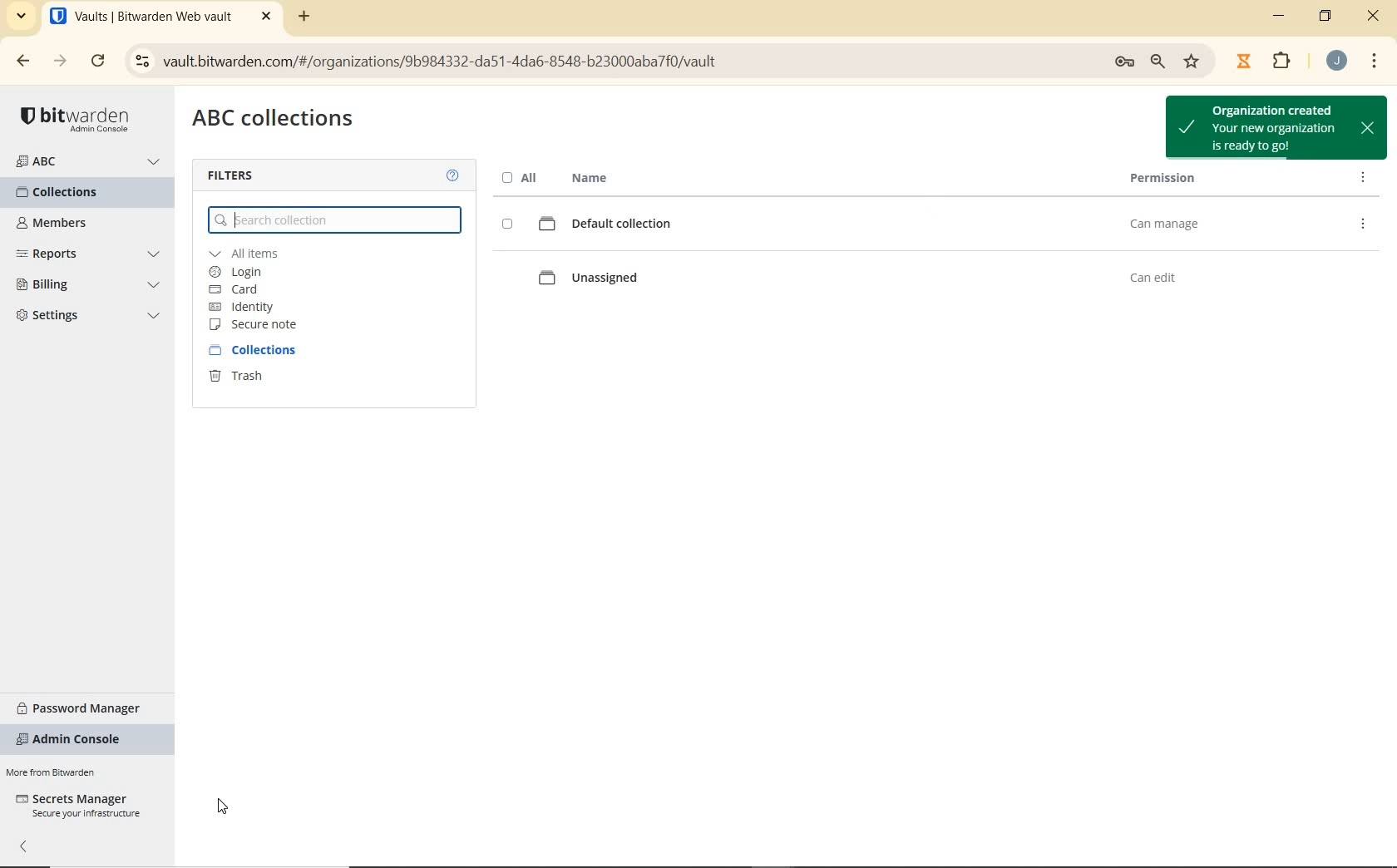 Image resolution: width=1397 pixels, height=868 pixels. Describe the element at coordinates (57, 162) in the screenshot. I see `ABC` at that location.